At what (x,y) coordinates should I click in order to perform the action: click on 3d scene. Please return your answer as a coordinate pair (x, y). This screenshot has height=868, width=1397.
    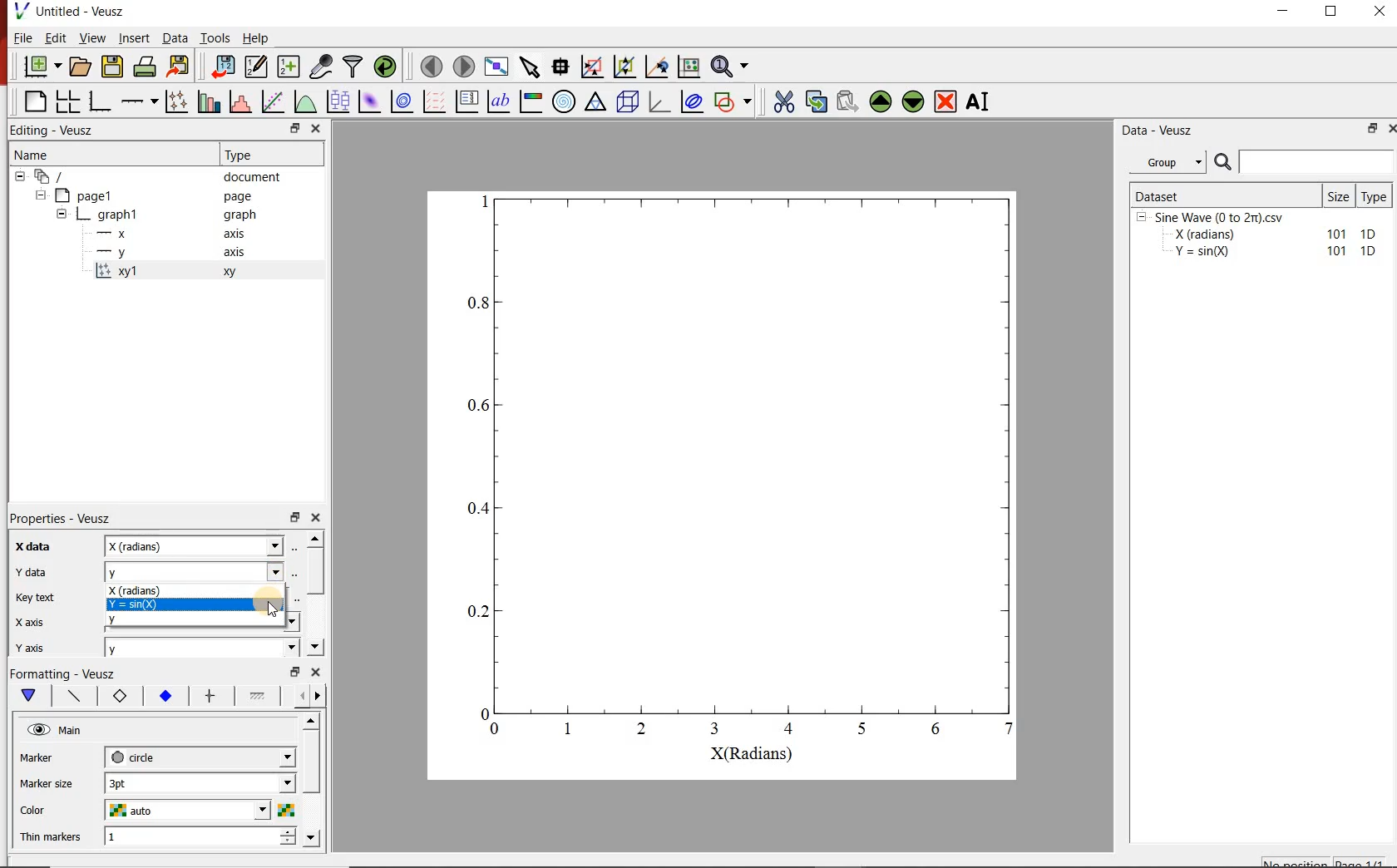
    Looking at the image, I should click on (628, 101).